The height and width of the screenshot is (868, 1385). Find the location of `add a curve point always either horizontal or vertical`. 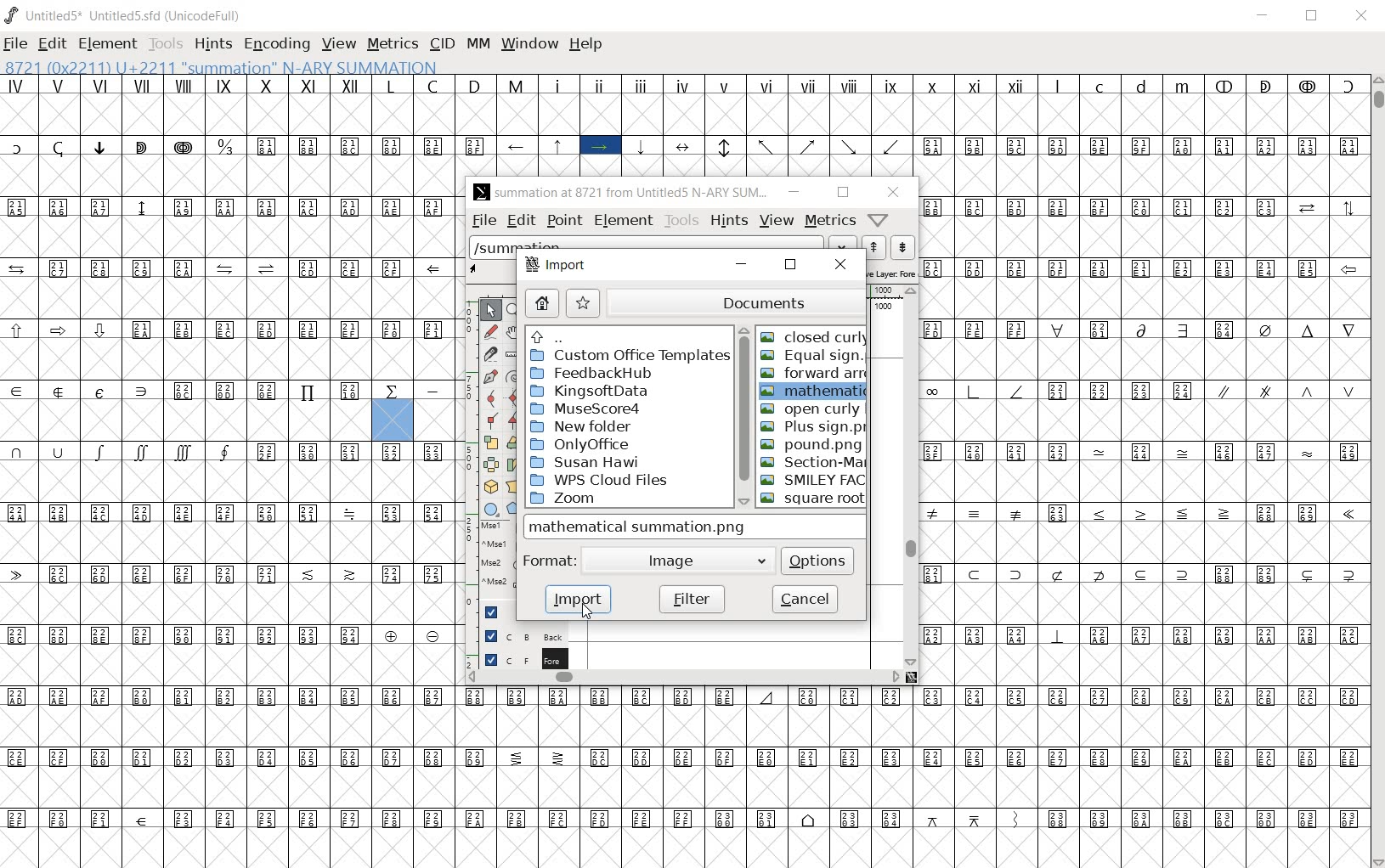

add a curve point always either horizontal or vertical is located at coordinates (513, 398).